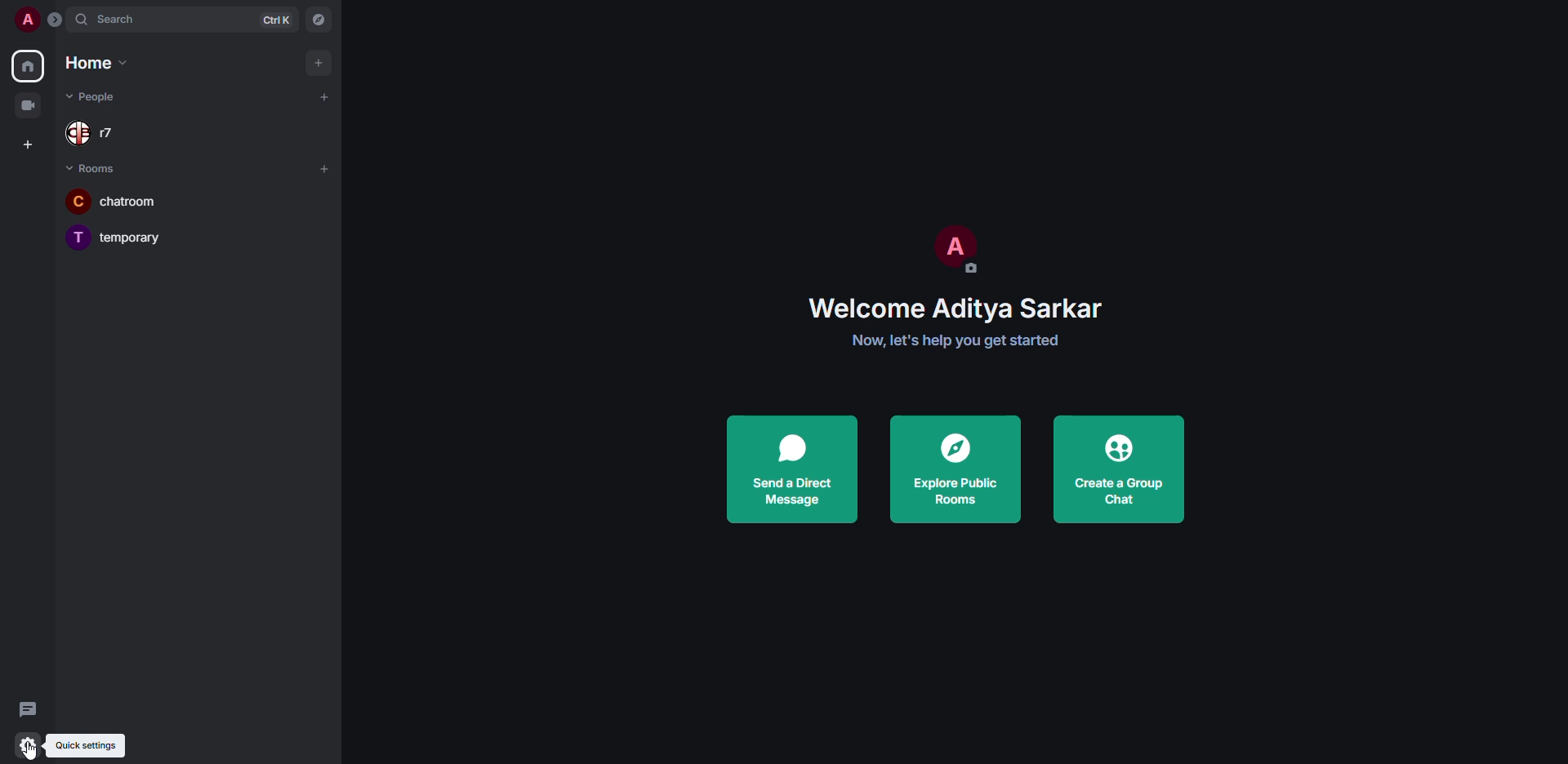 The image size is (1568, 764). I want to click on welcome, so click(958, 307).